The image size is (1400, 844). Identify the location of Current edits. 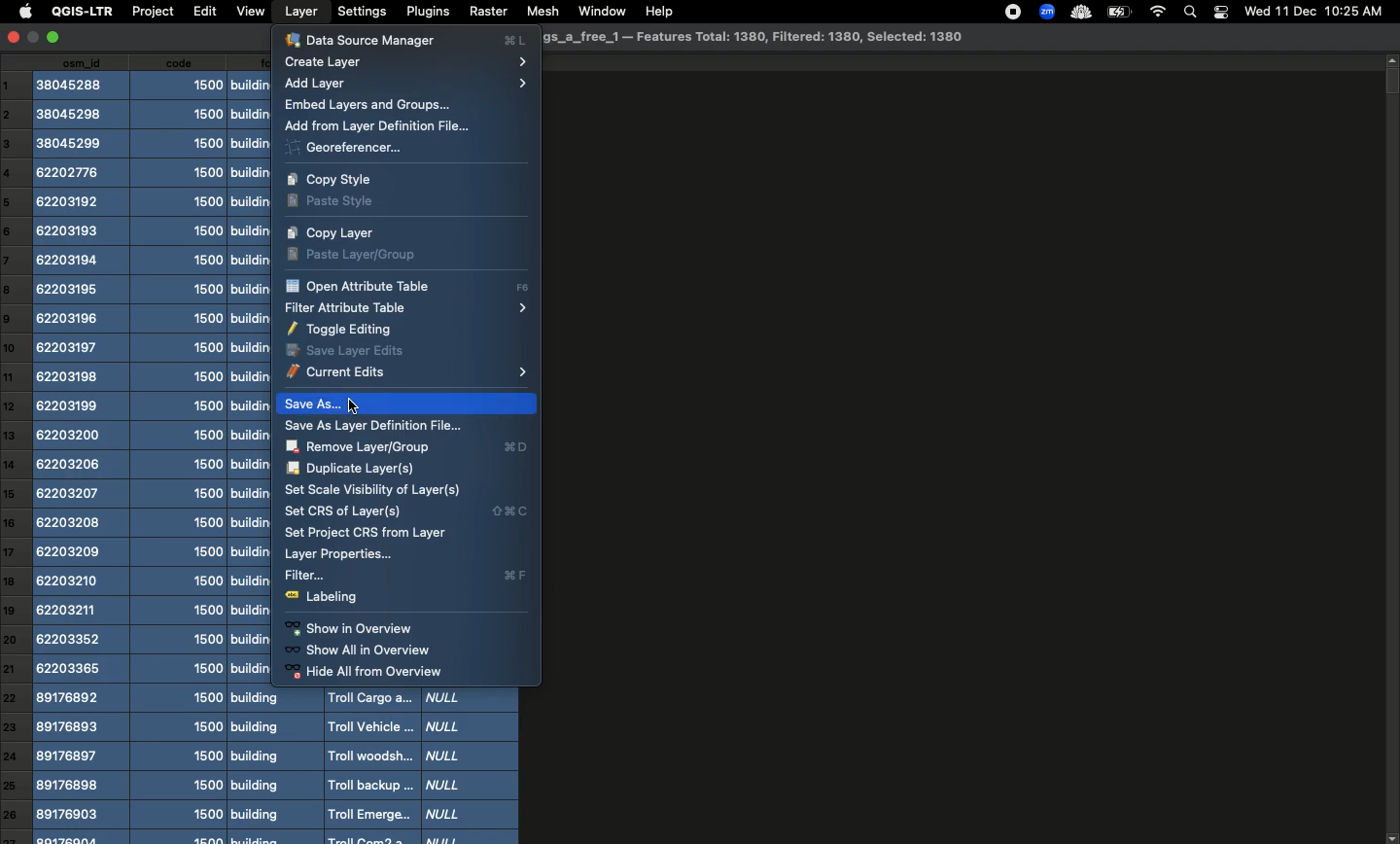
(406, 372).